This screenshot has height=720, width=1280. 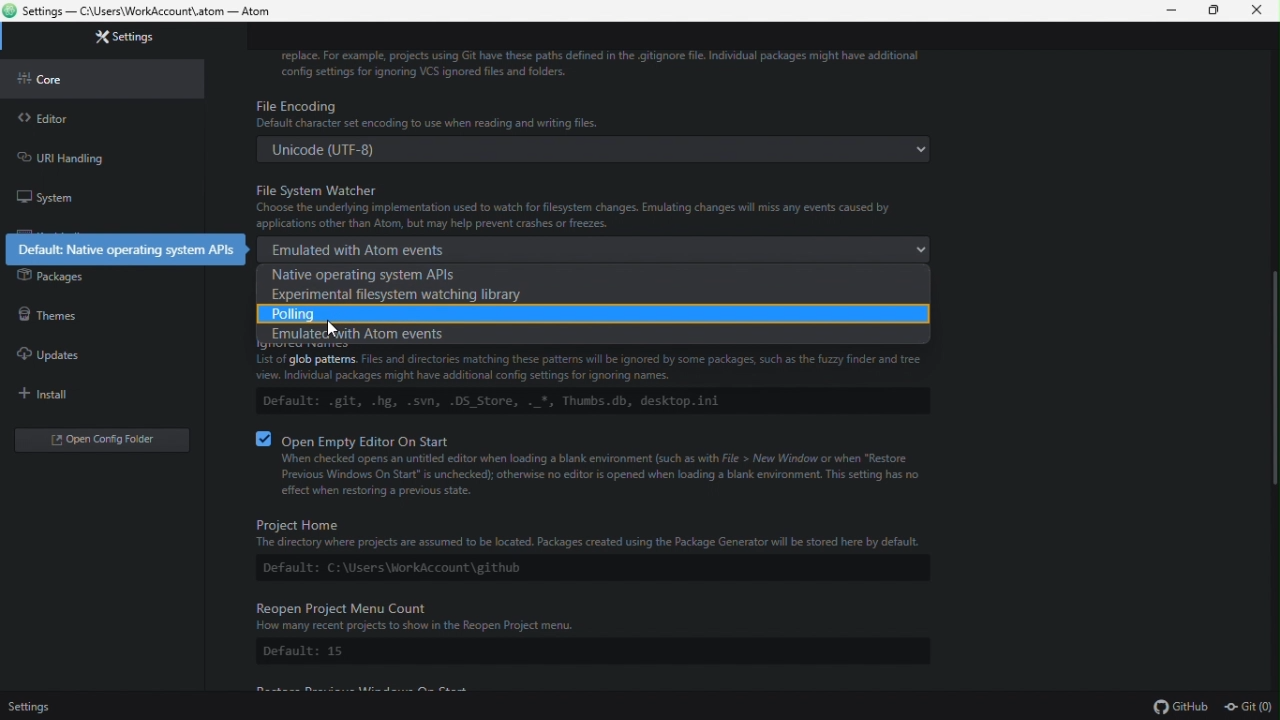 What do you see at coordinates (562, 275) in the screenshot?
I see `Native operating system API` at bounding box center [562, 275].